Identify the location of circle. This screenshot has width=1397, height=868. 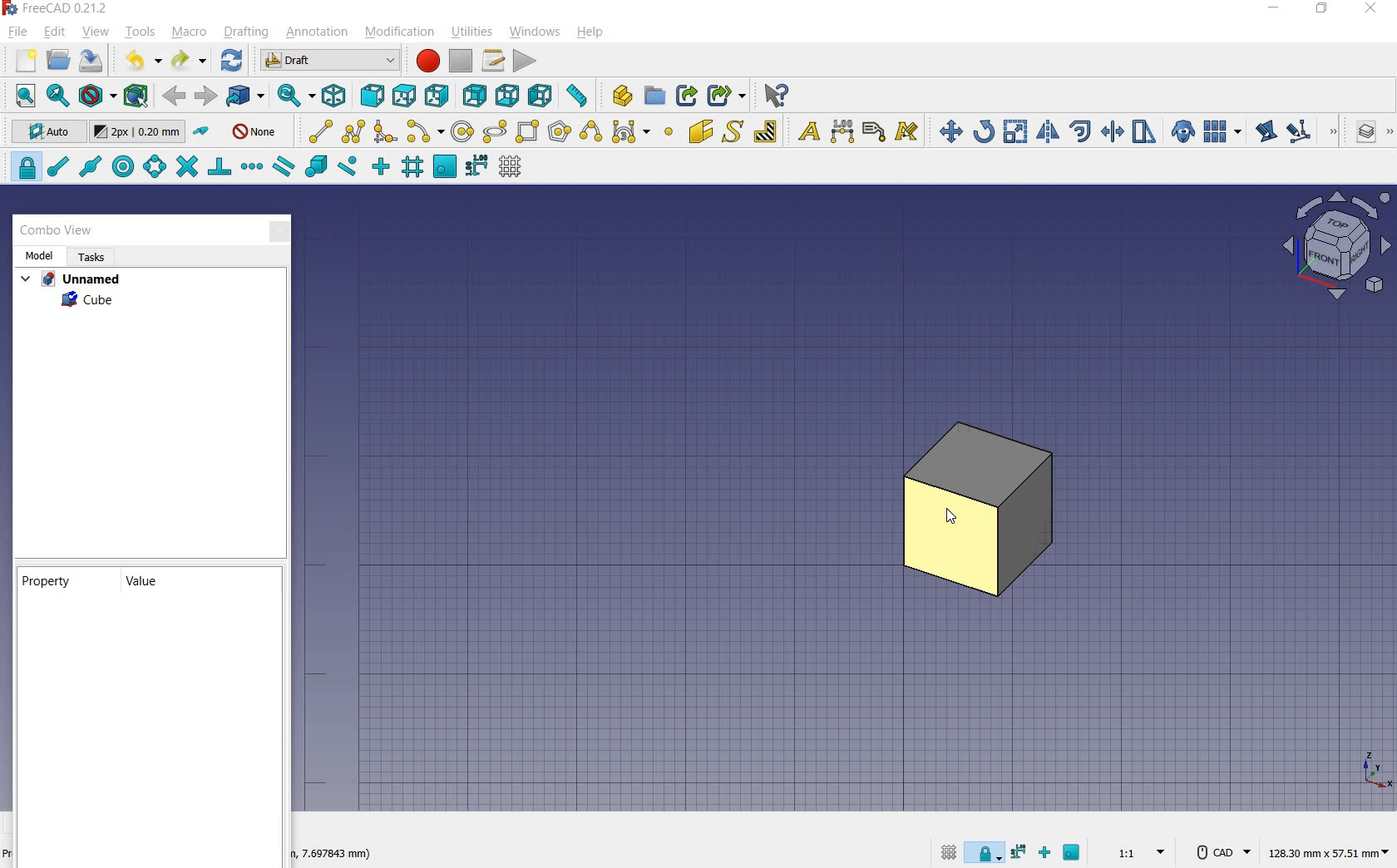
(464, 131).